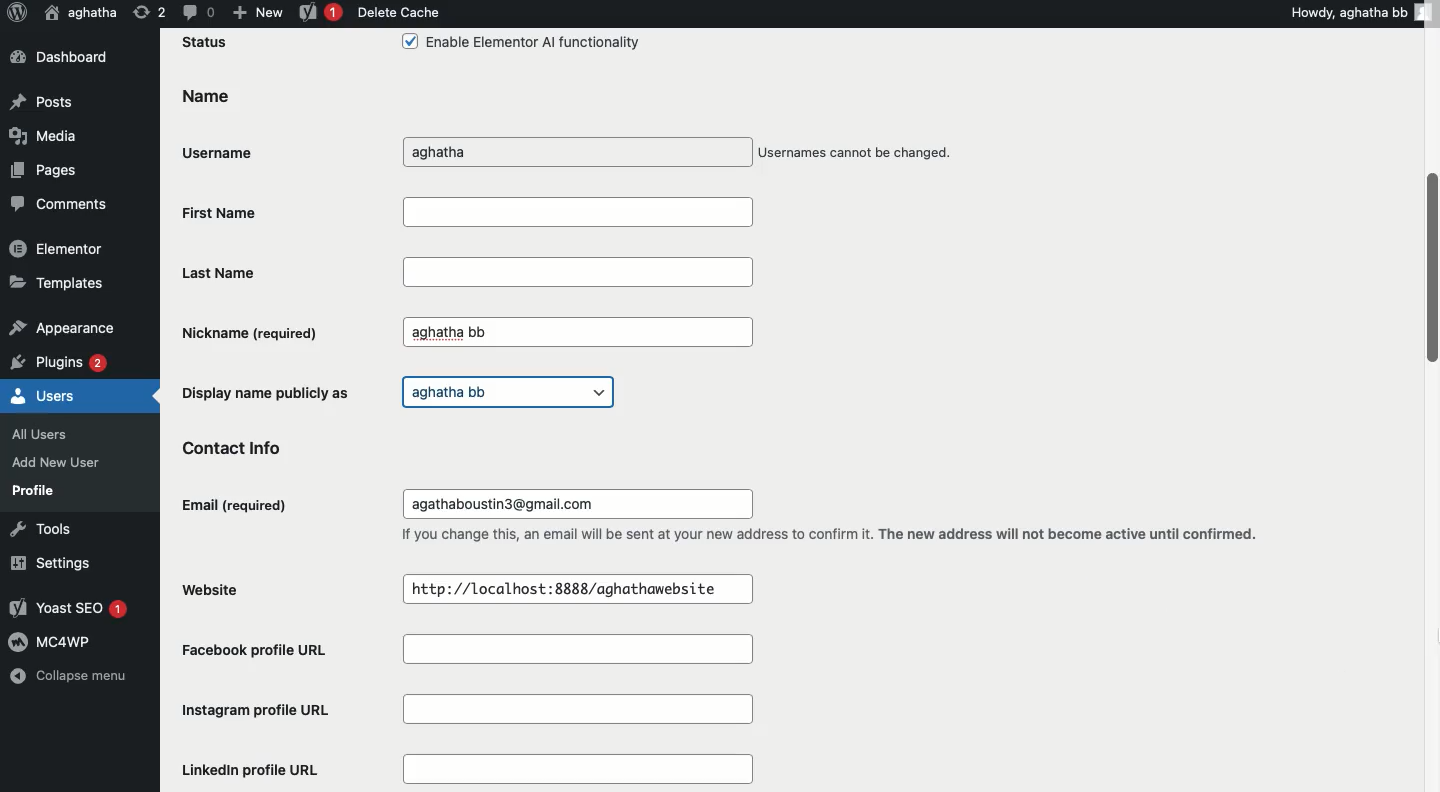 This screenshot has height=792, width=1440. Describe the element at coordinates (448, 332) in the screenshot. I see `aghatha bb` at that location.